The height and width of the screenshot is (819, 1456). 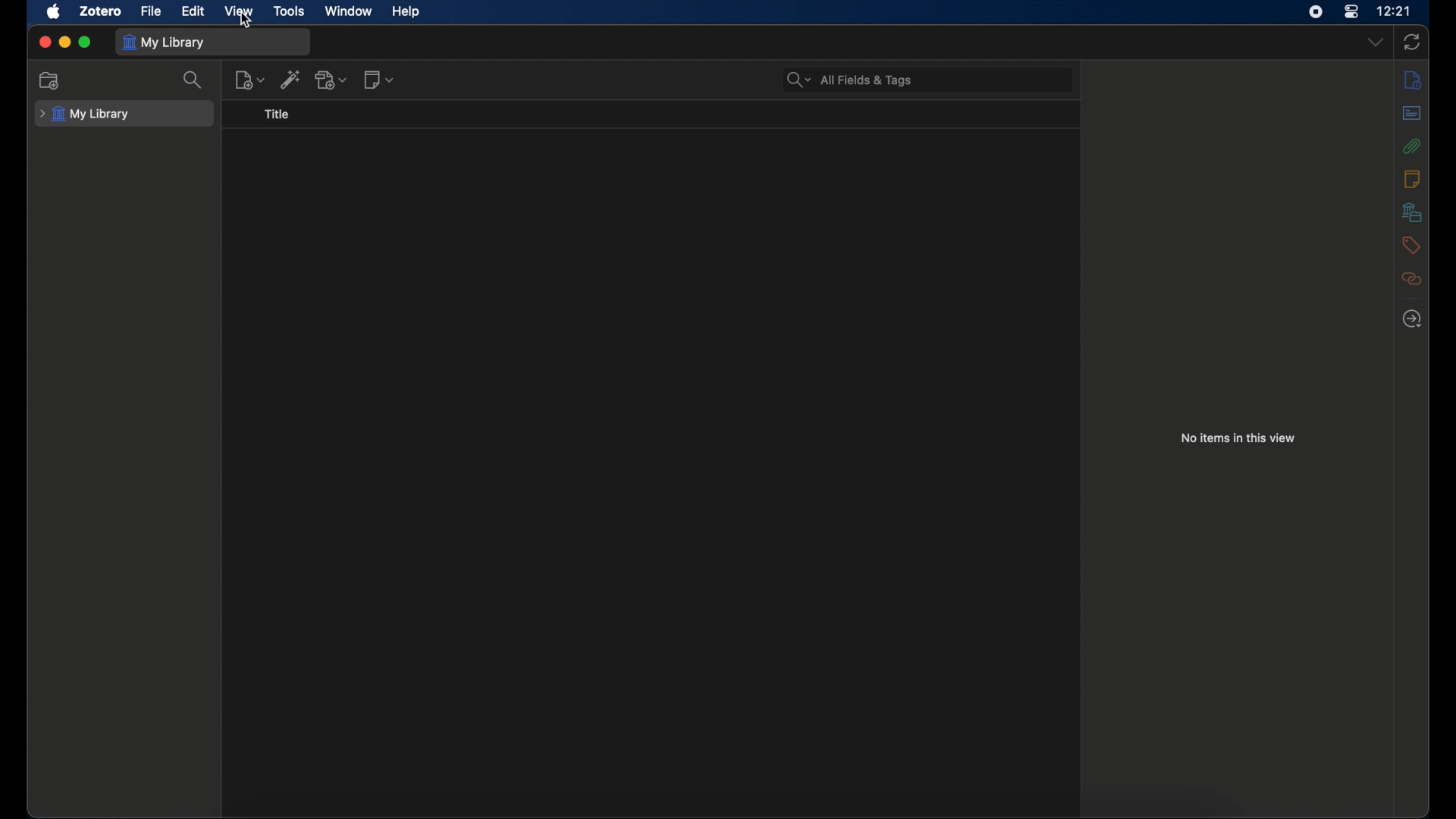 I want to click on locate, so click(x=1412, y=320).